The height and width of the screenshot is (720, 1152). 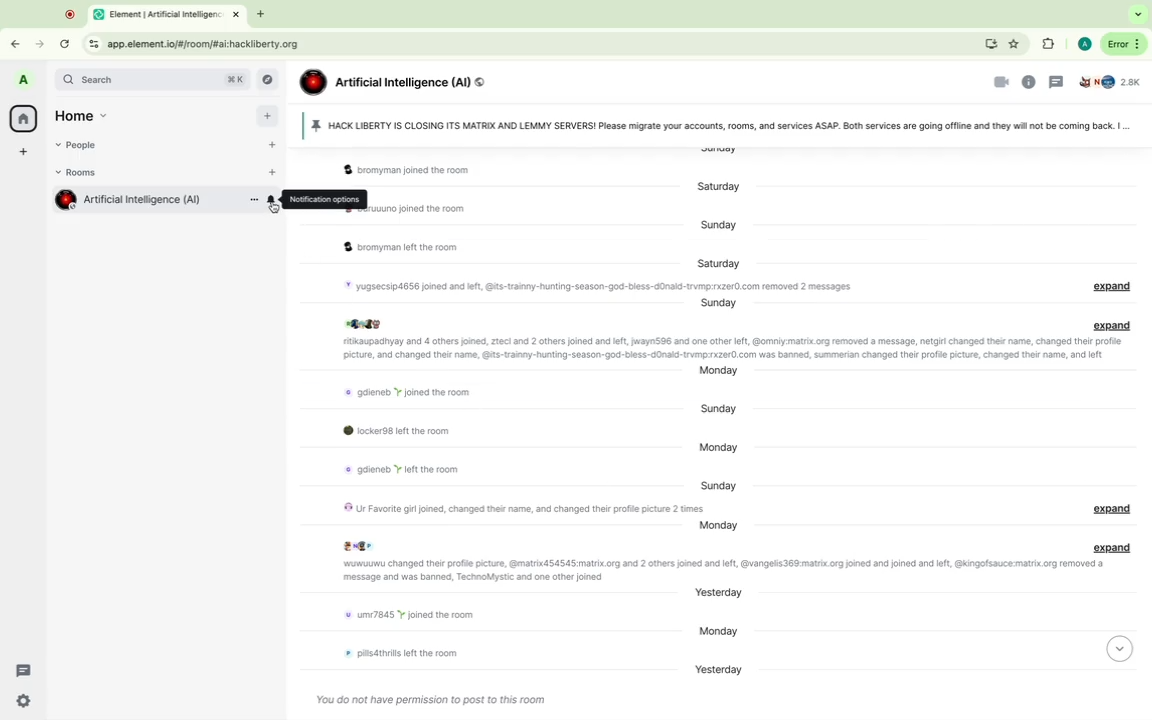 I want to click on Favorite, so click(x=1015, y=44).